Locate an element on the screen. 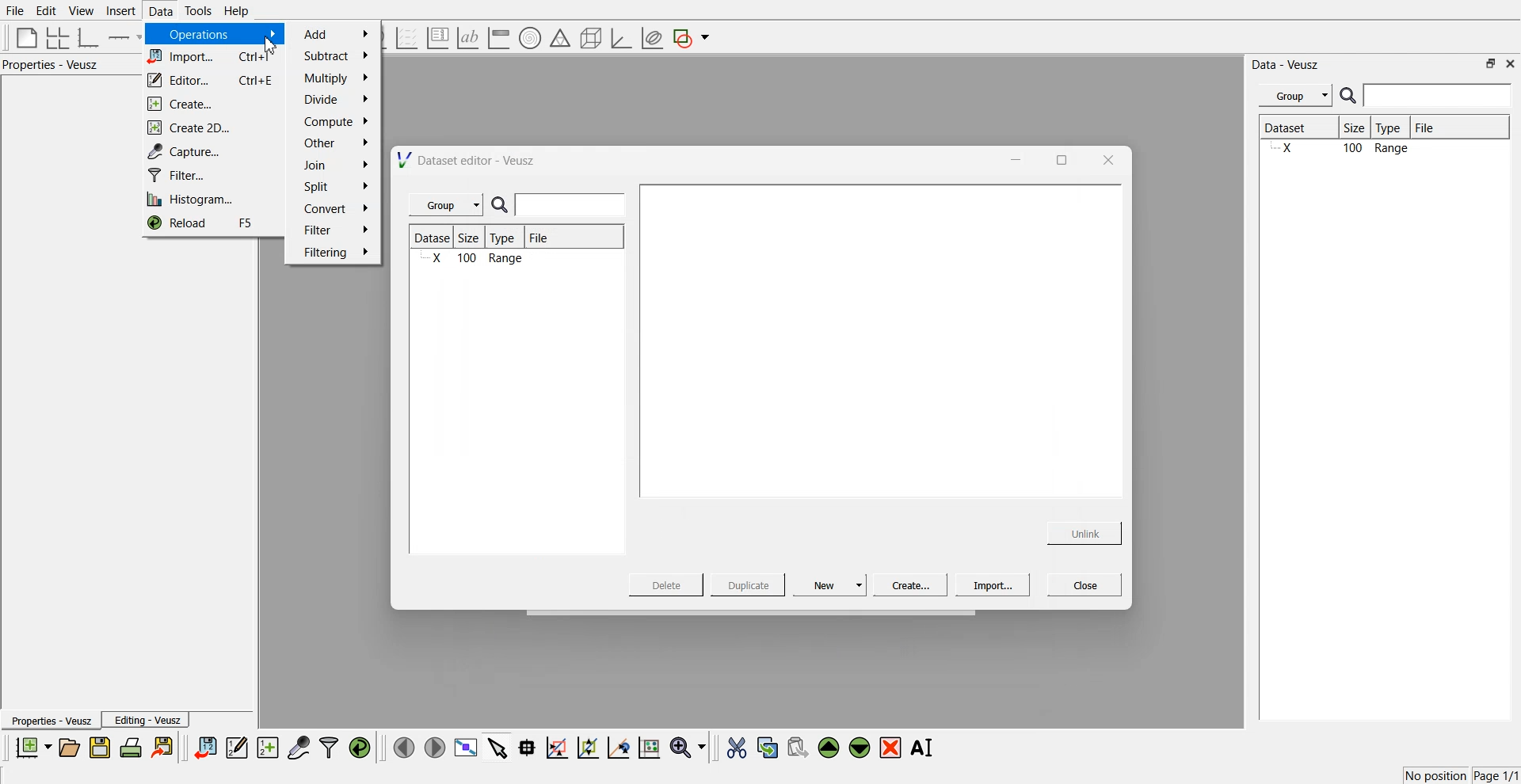 This screenshot has height=784, width=1521. Insert is located at coordinates (119, 11).